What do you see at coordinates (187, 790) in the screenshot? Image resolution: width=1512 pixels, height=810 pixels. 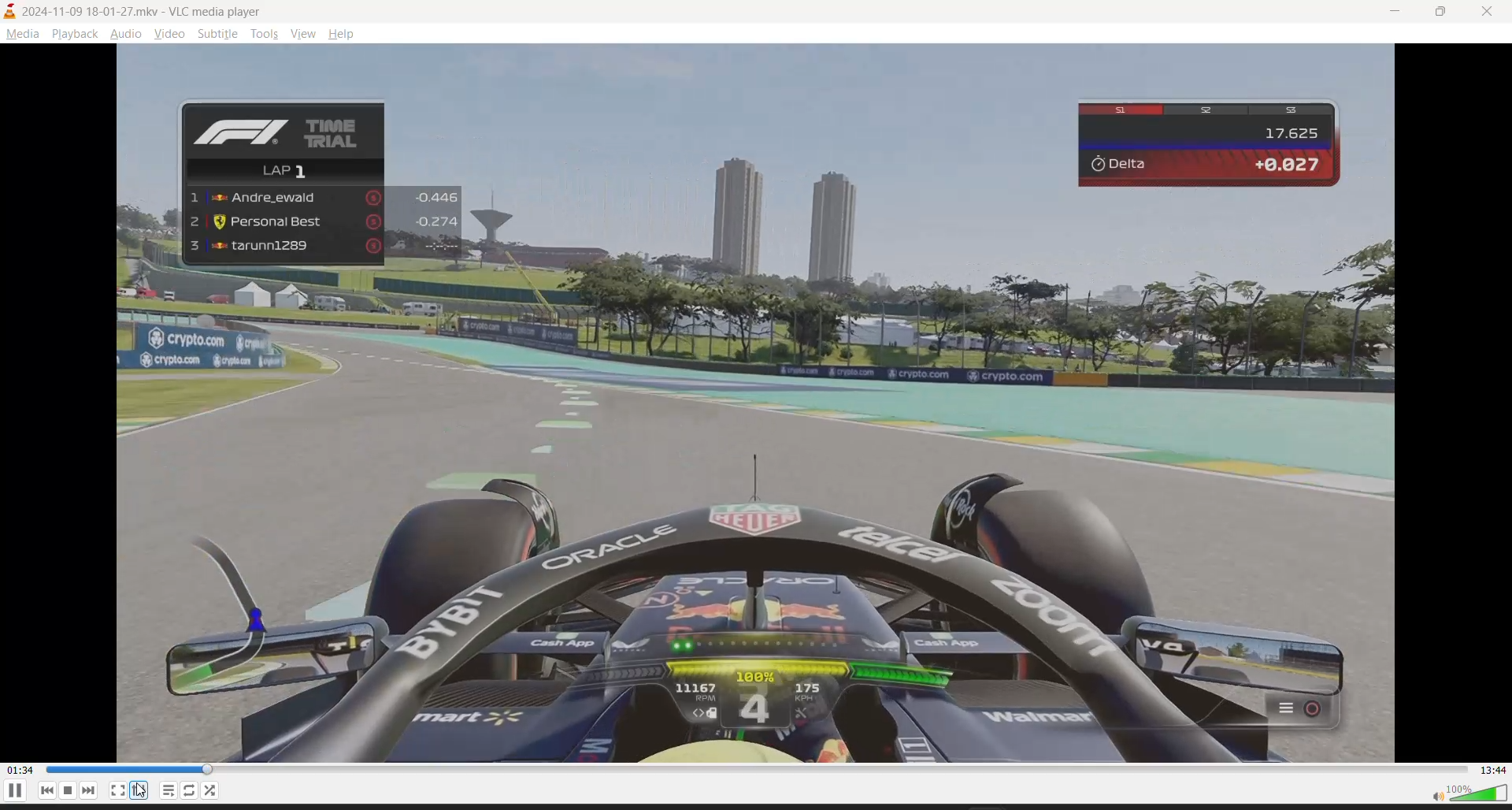 I see `loop` at bounding box center [187, 790].